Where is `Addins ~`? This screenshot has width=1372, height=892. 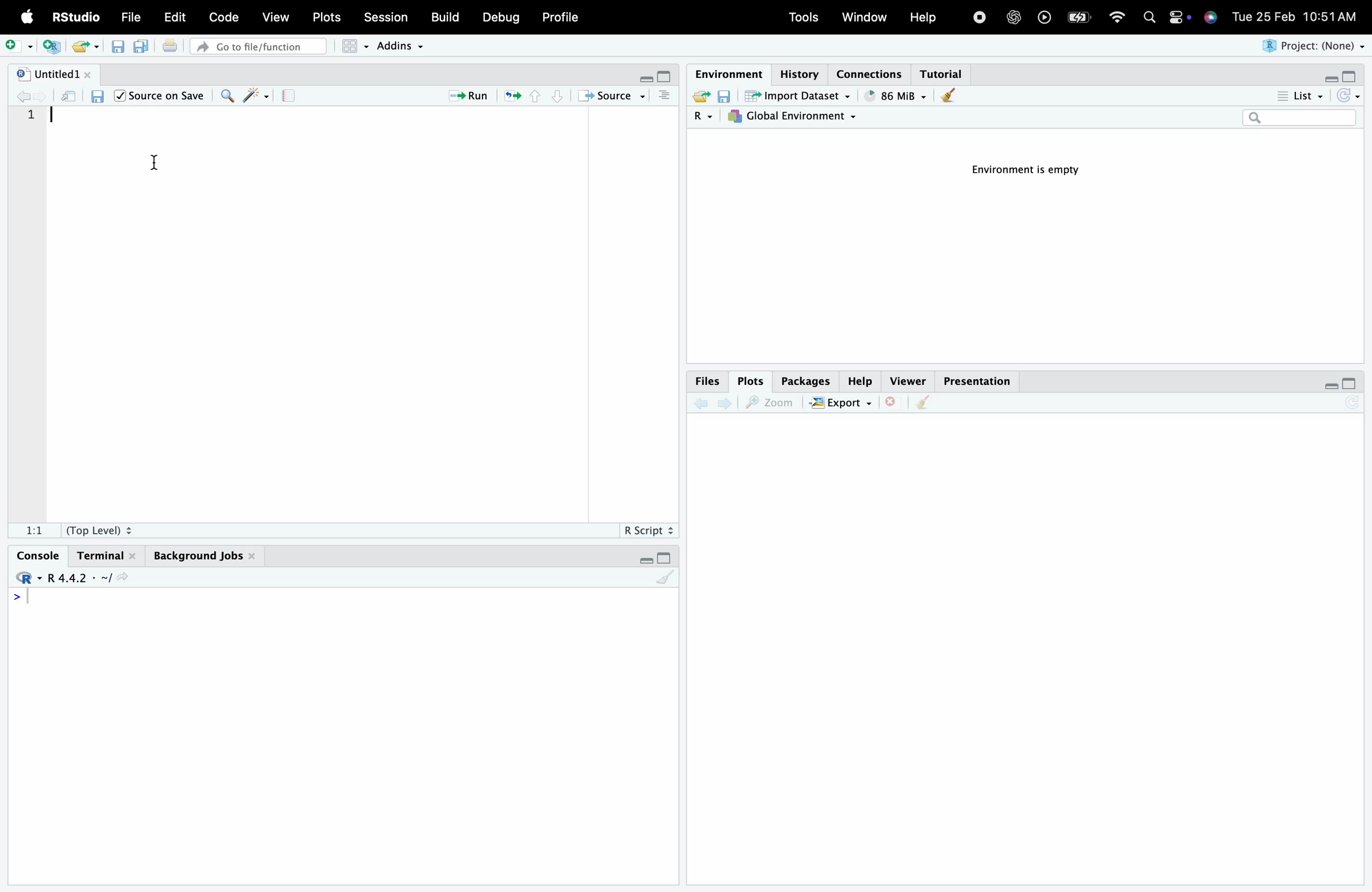 Addins ~ is located at coordinates (404, 47).